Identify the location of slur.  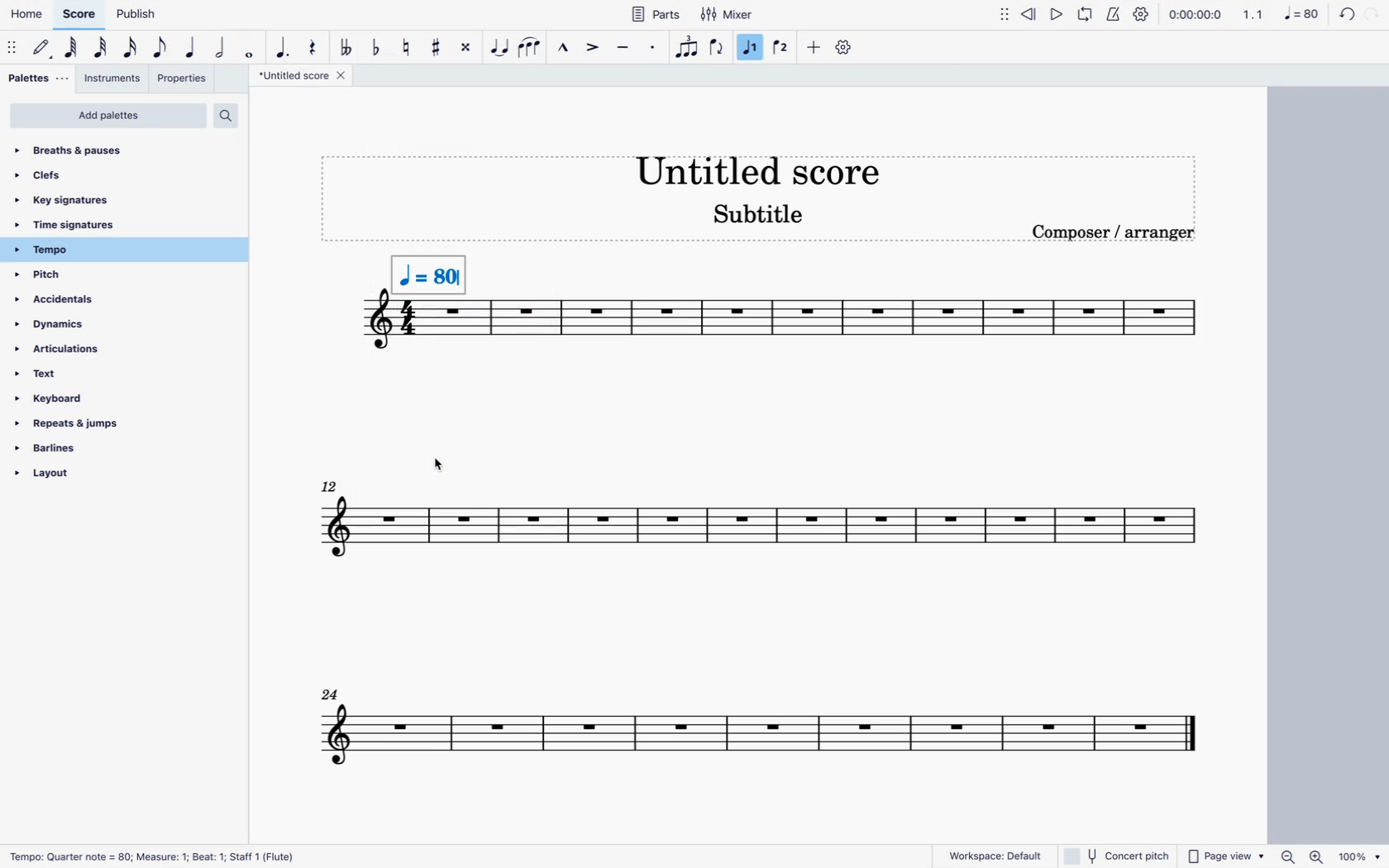
(529, 48).